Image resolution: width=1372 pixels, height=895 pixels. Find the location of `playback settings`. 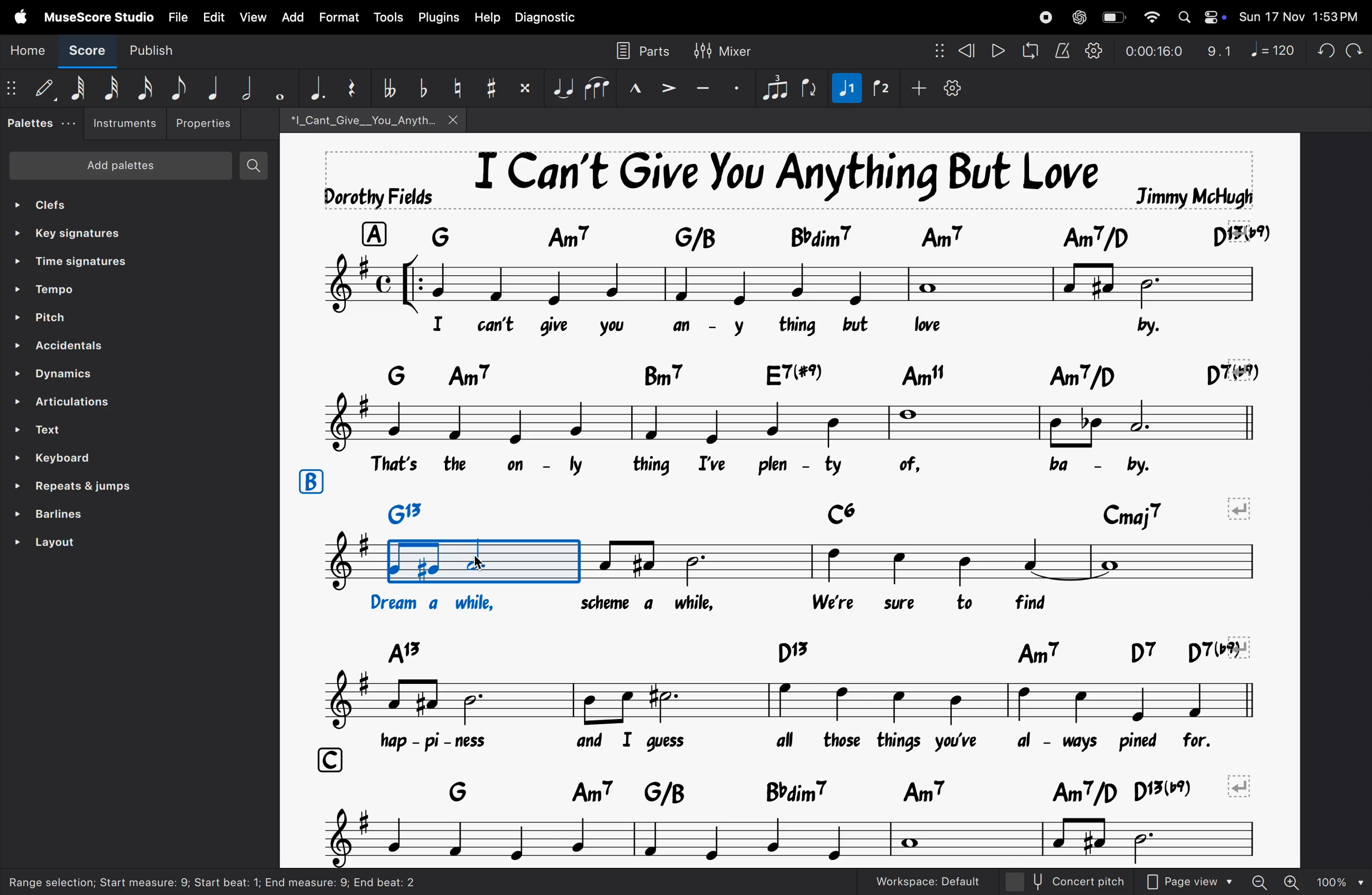

playback settings is located at coordinates (1093, 48).